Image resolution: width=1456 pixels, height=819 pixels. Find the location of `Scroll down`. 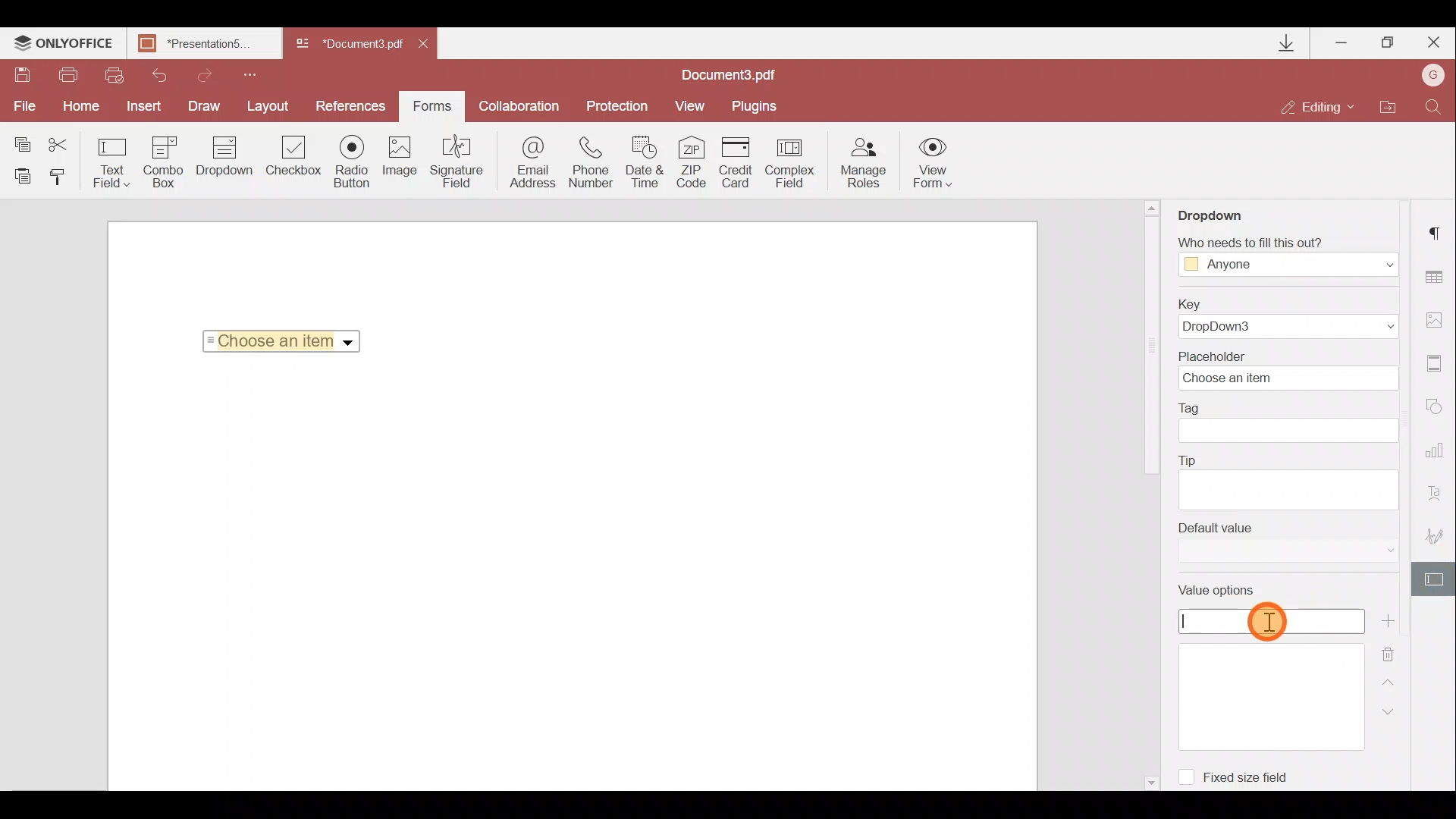

Scroll down is located at coordinates (1150, 780).